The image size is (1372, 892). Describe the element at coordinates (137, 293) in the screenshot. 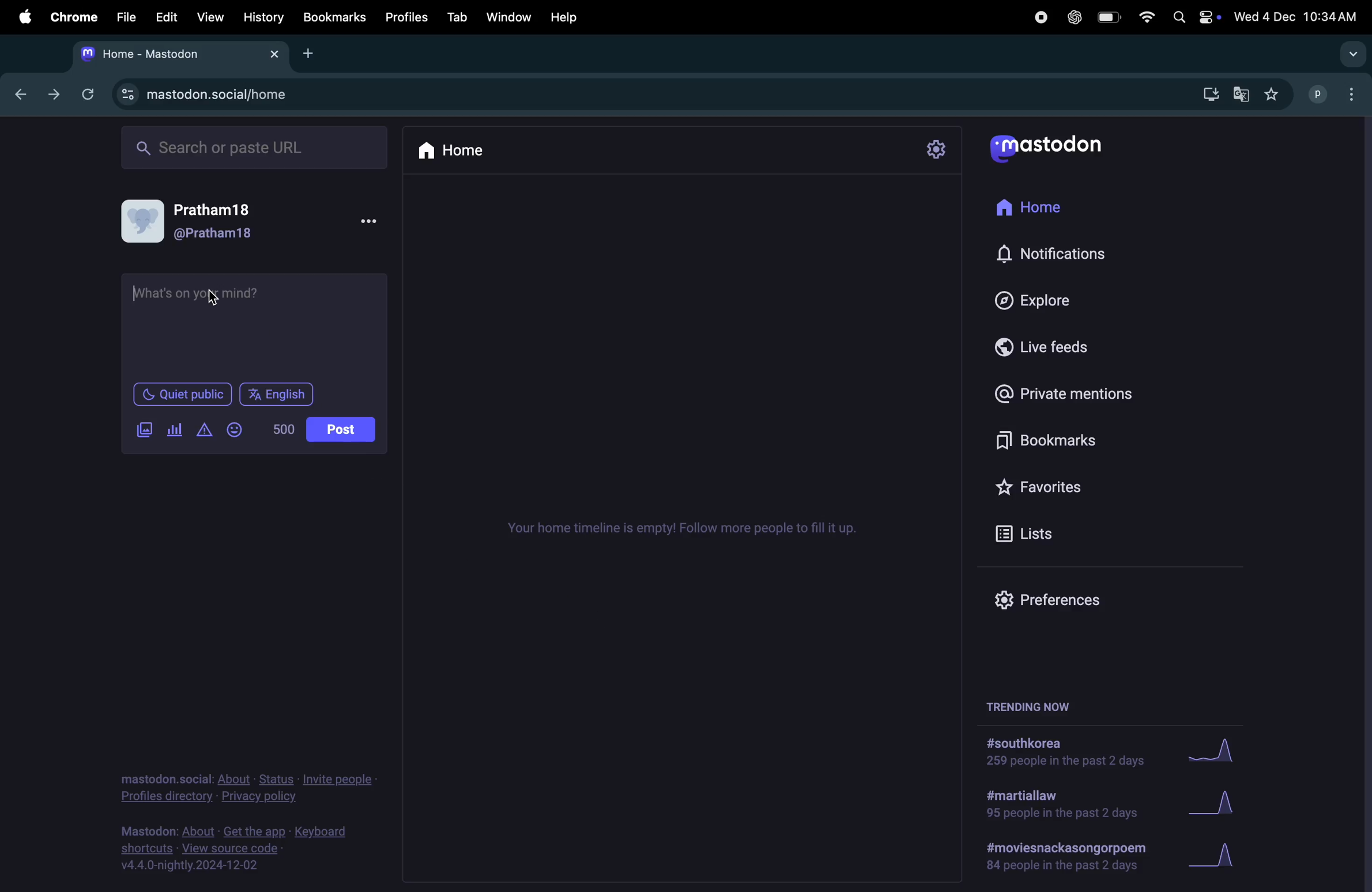

I see `cursor` at that location.